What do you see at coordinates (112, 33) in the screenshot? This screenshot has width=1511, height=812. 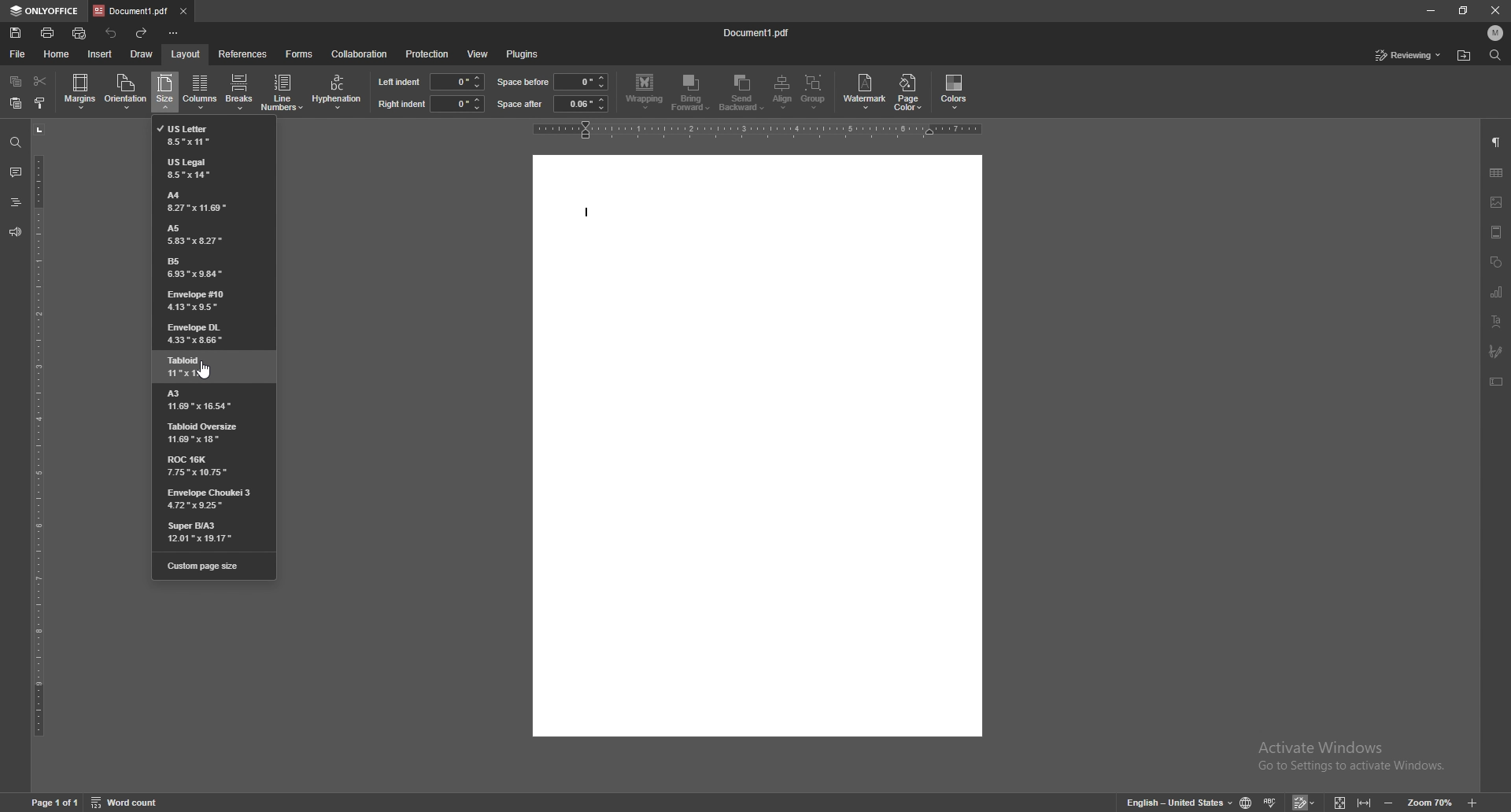 I see `undo` at bounding box center [112, 33].